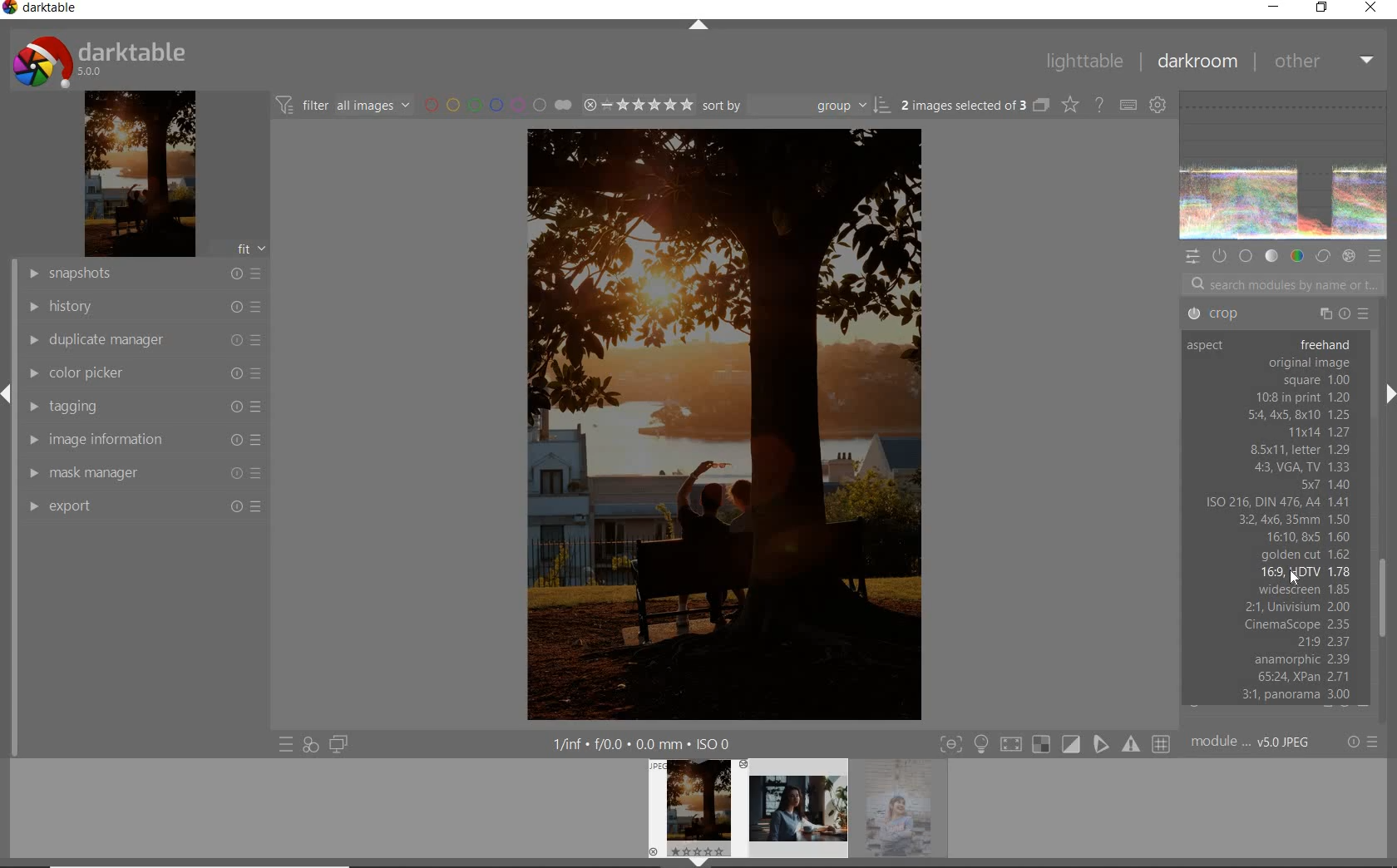 The height and width of the screenshot is (868, 1397). What do you see at coordinates (1303, 589) in the screenshot?
I see `widescreen 1.85` at bounding box center [1303, 589].